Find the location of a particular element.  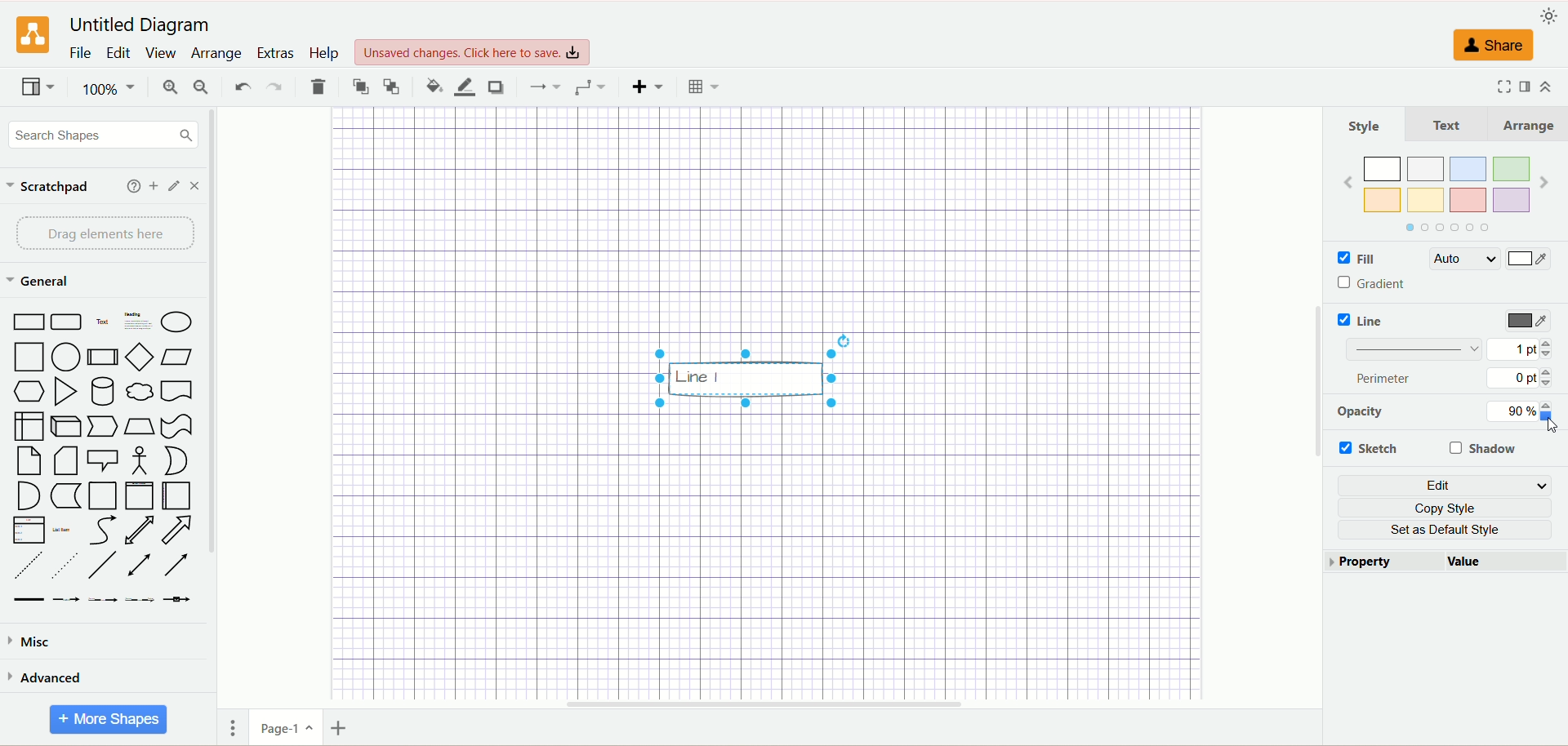

Document is located at coordinates (177, 389).